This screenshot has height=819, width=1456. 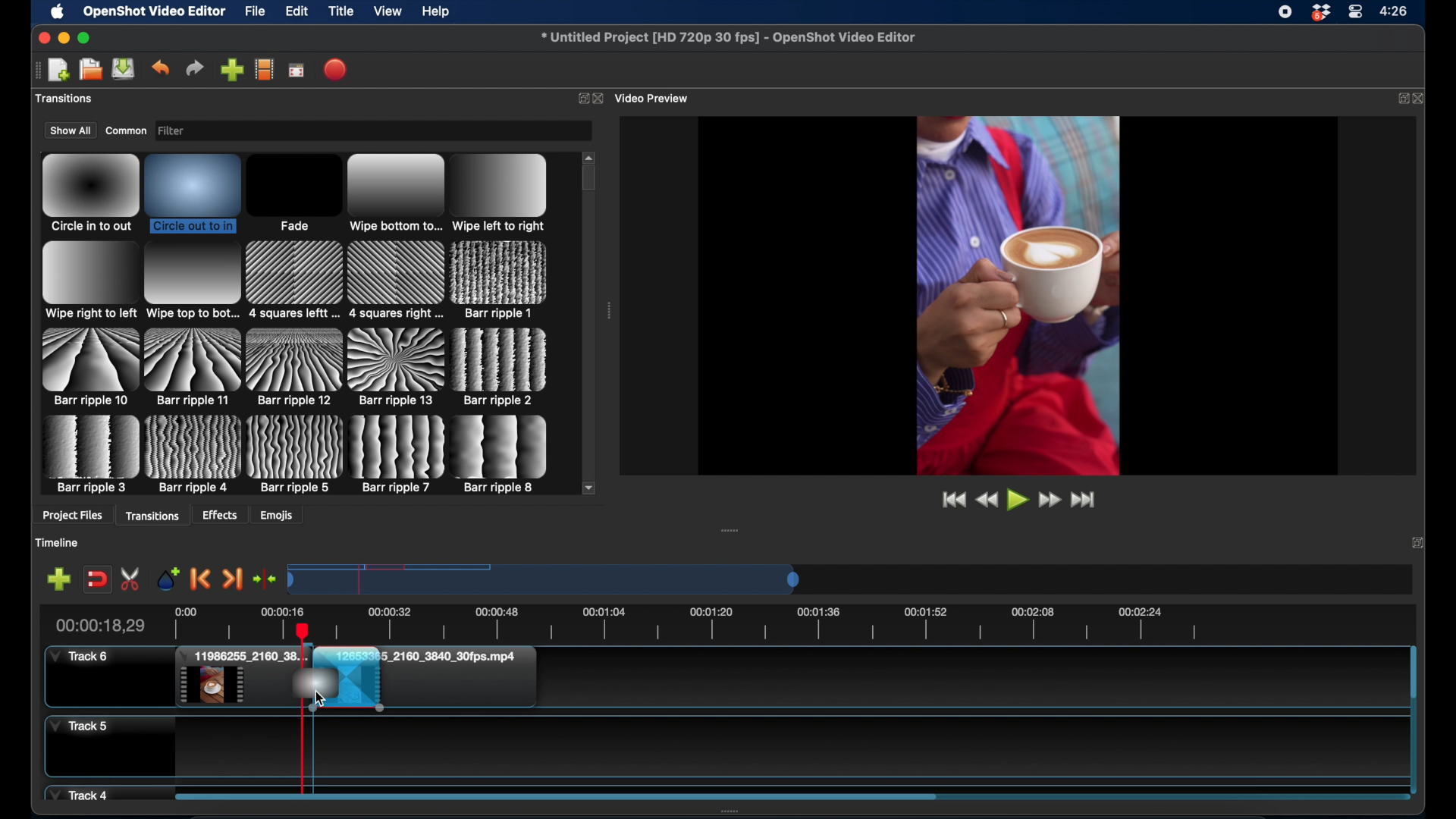 What do you see at coordinates (654, 98) in the screenshot?
I see `video preview` at bounding box center [654, 98].